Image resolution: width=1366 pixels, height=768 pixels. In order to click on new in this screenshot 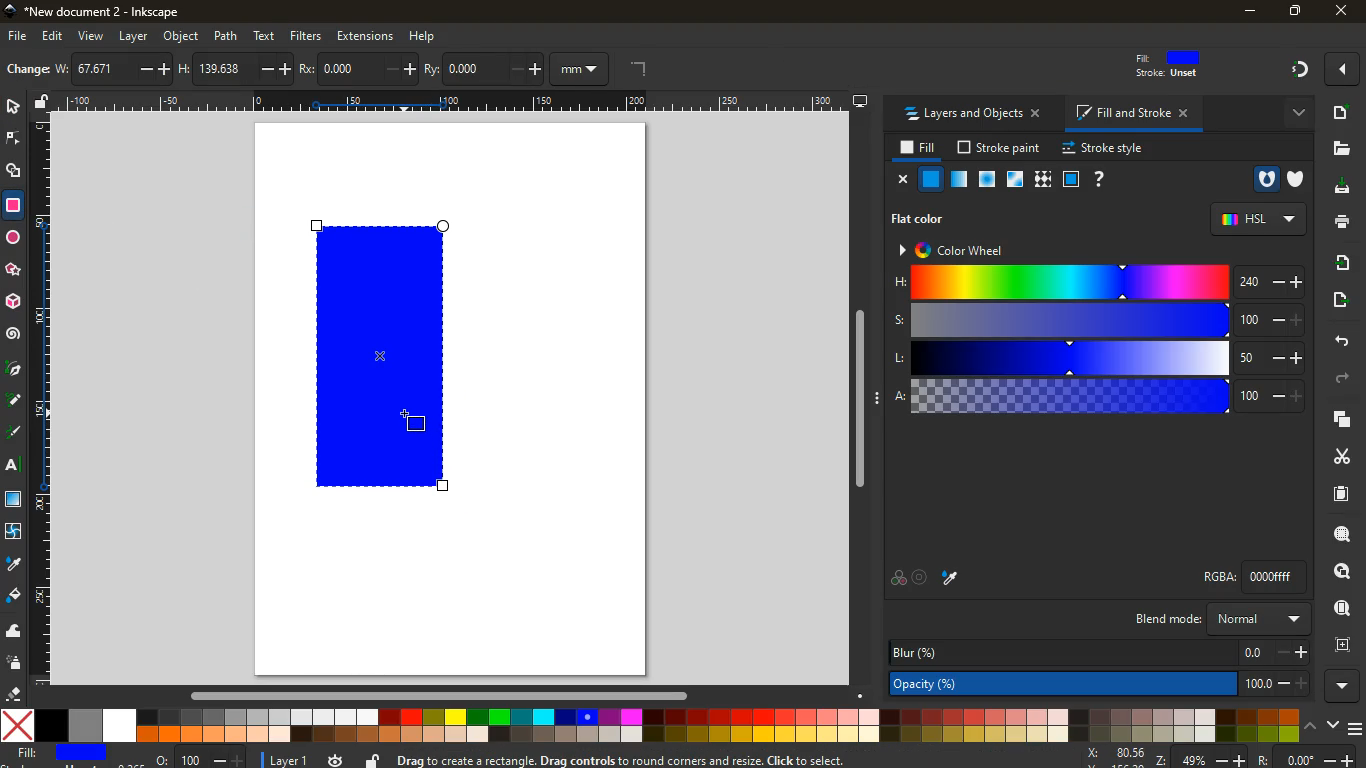, I will do `click(26, 71)`.